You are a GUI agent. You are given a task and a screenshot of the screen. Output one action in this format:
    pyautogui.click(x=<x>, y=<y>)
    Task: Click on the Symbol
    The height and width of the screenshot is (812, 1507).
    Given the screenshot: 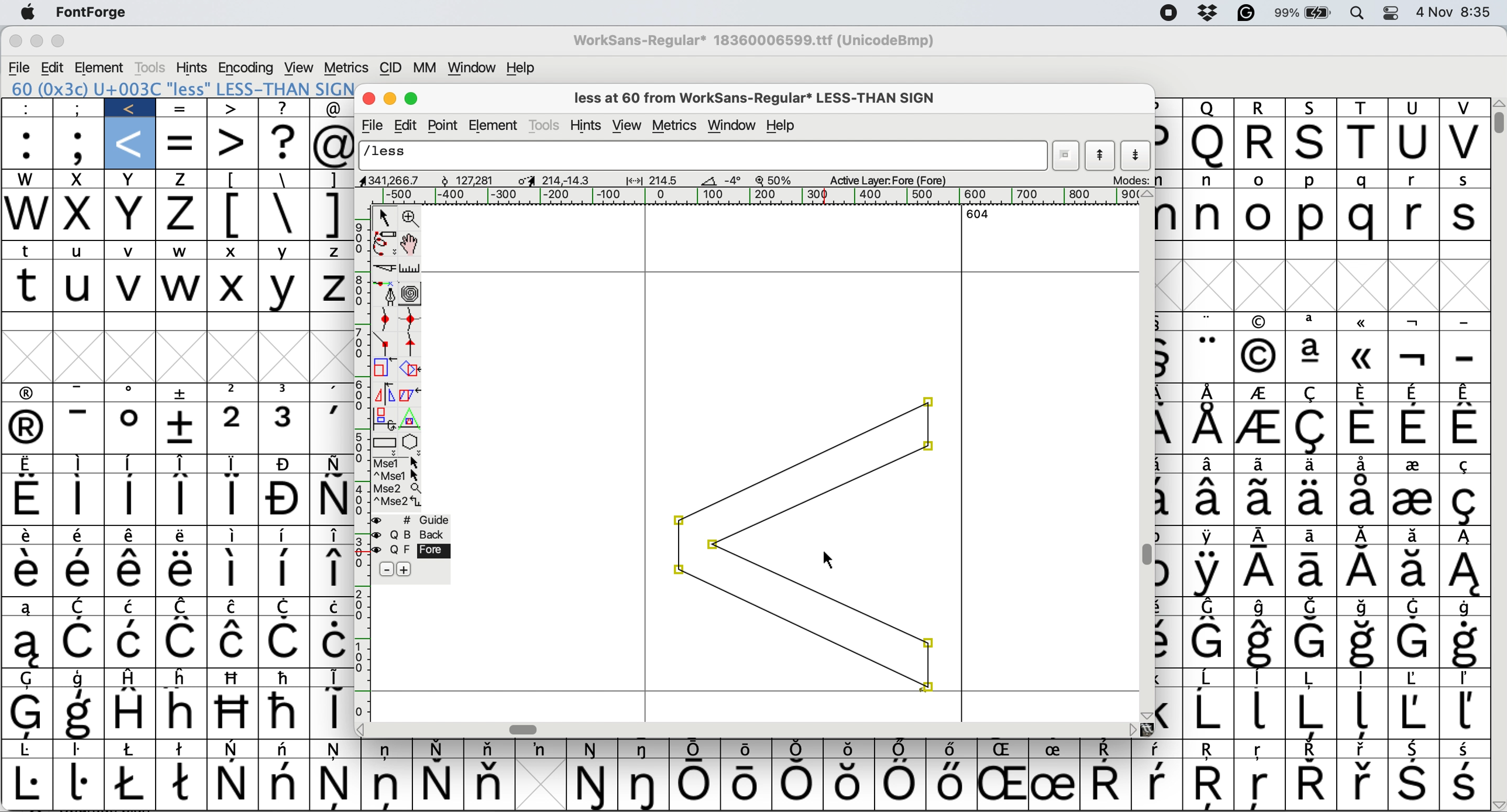 What is the action you would take?
    pyautogui.click(x=1312, y=430)
    